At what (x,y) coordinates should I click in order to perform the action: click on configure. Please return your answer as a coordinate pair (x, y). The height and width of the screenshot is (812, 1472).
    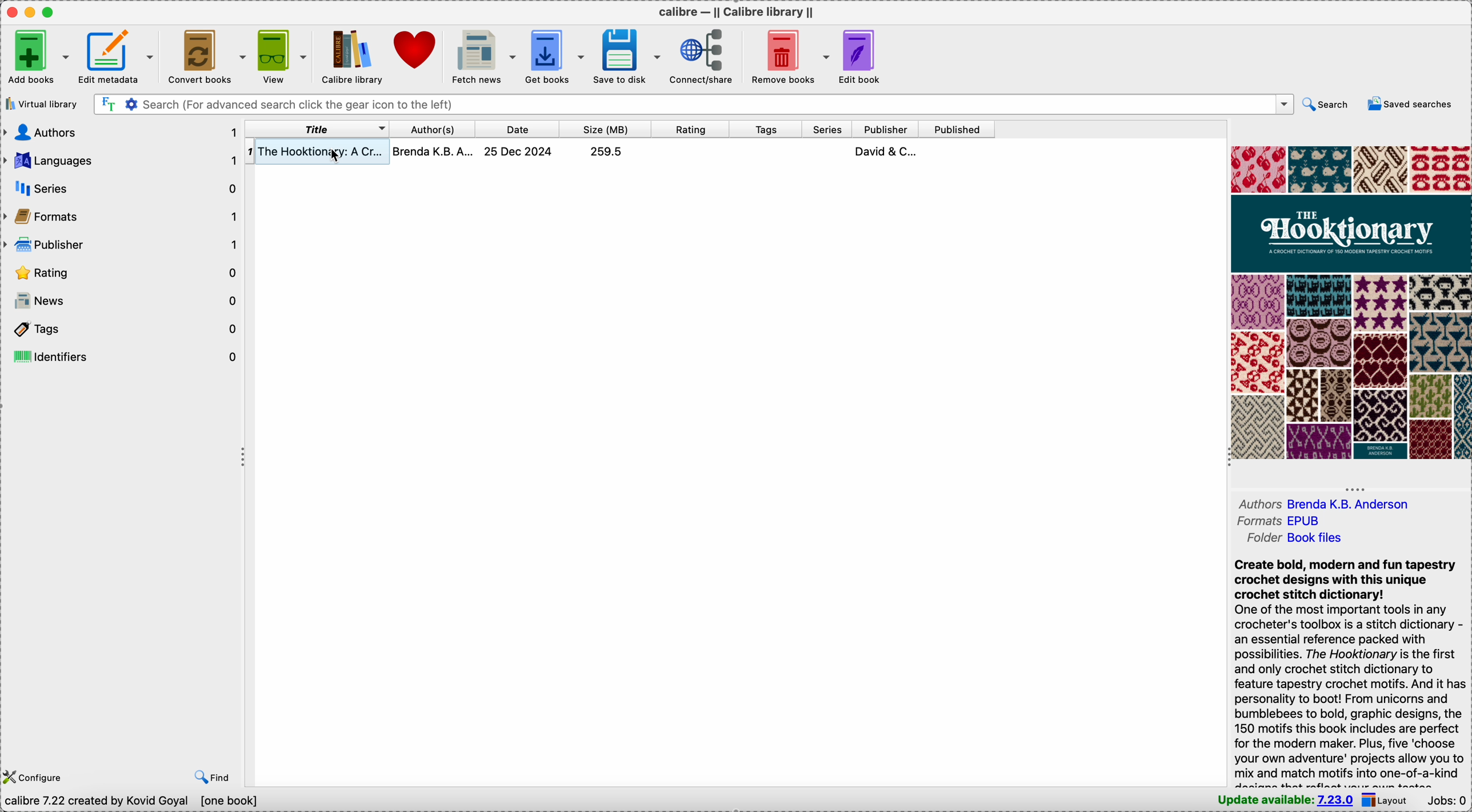
    Looking at the image, I should click on (37, 776).